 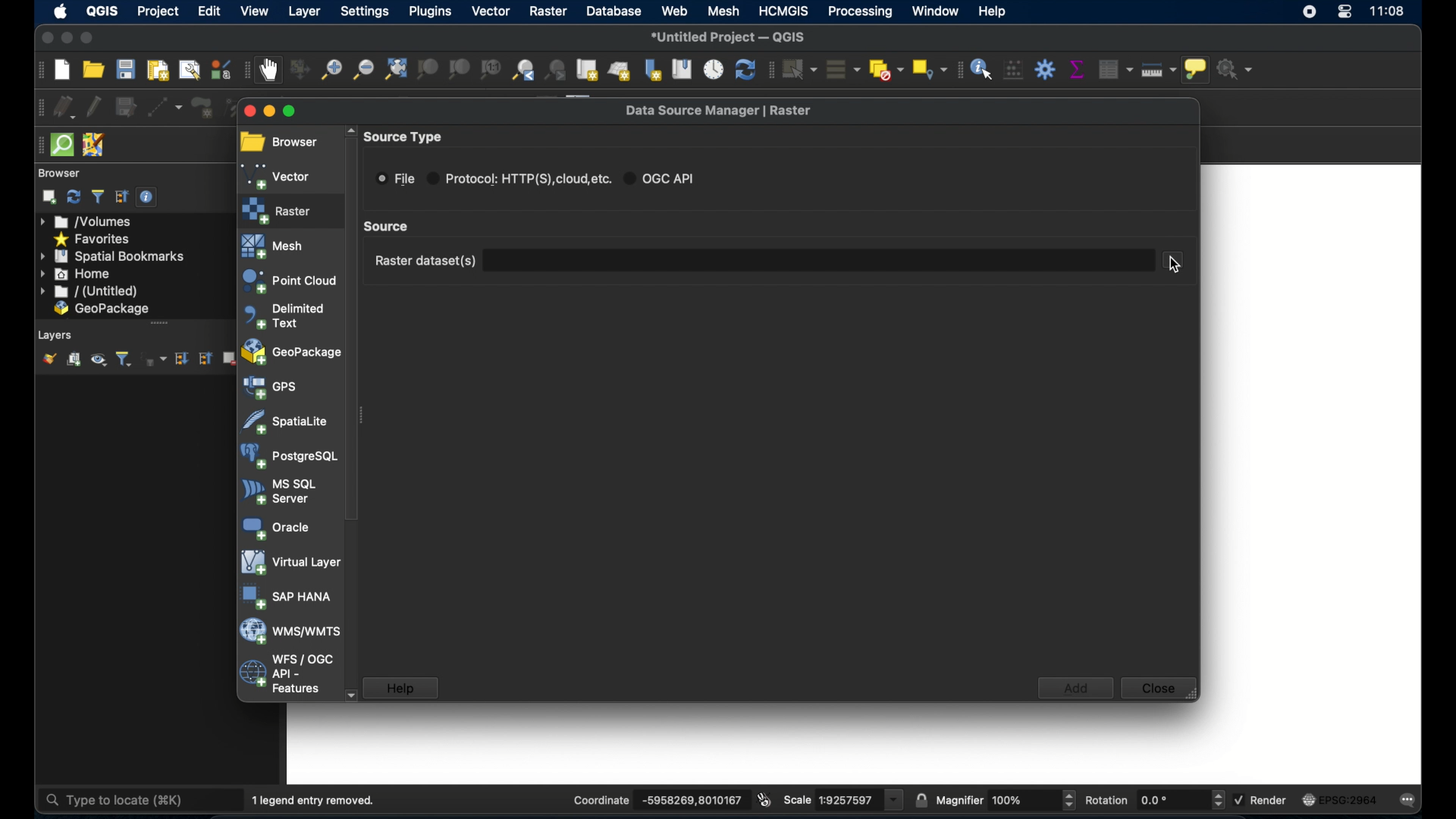 What do you see at coordinates (884, 69) in the screenshot?
I see `deselect features from all layers` at bounding box center [884, 69].